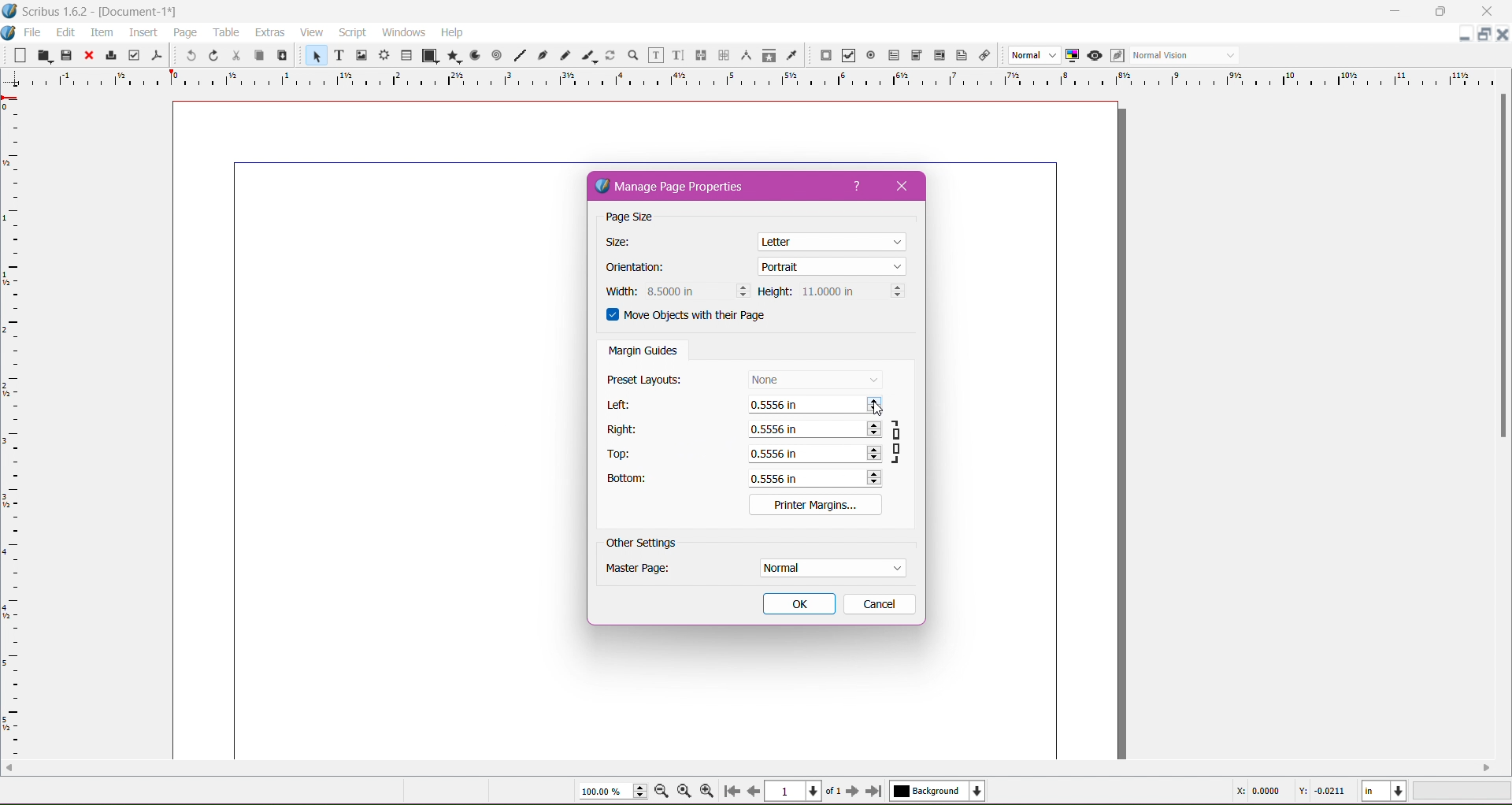 Image resolution: width=1512 pixels, height=805 pixels. I want to click on Move objects with their Page  - enable/disable, so click(696, 317).